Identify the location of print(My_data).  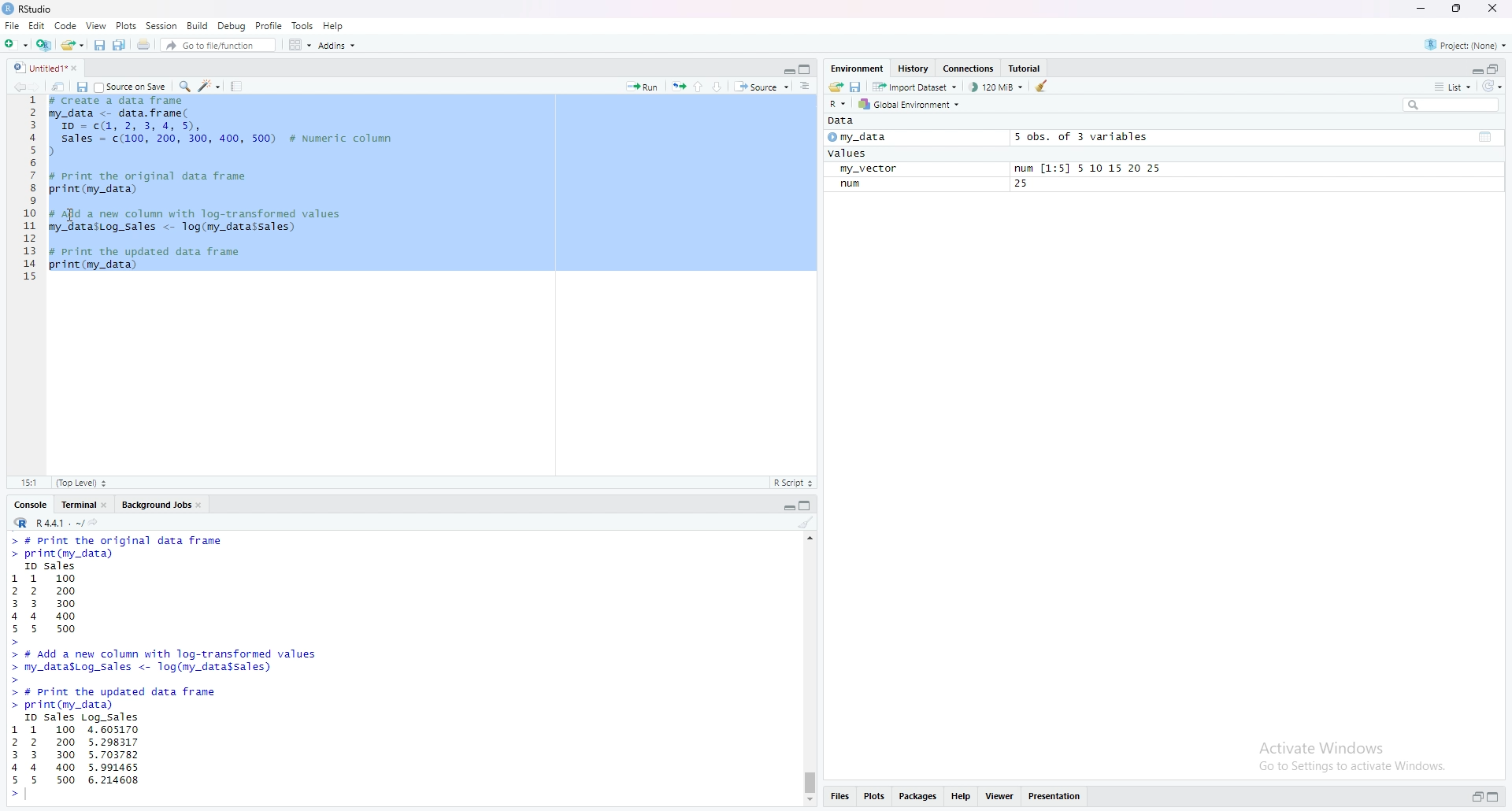
(94, 190).